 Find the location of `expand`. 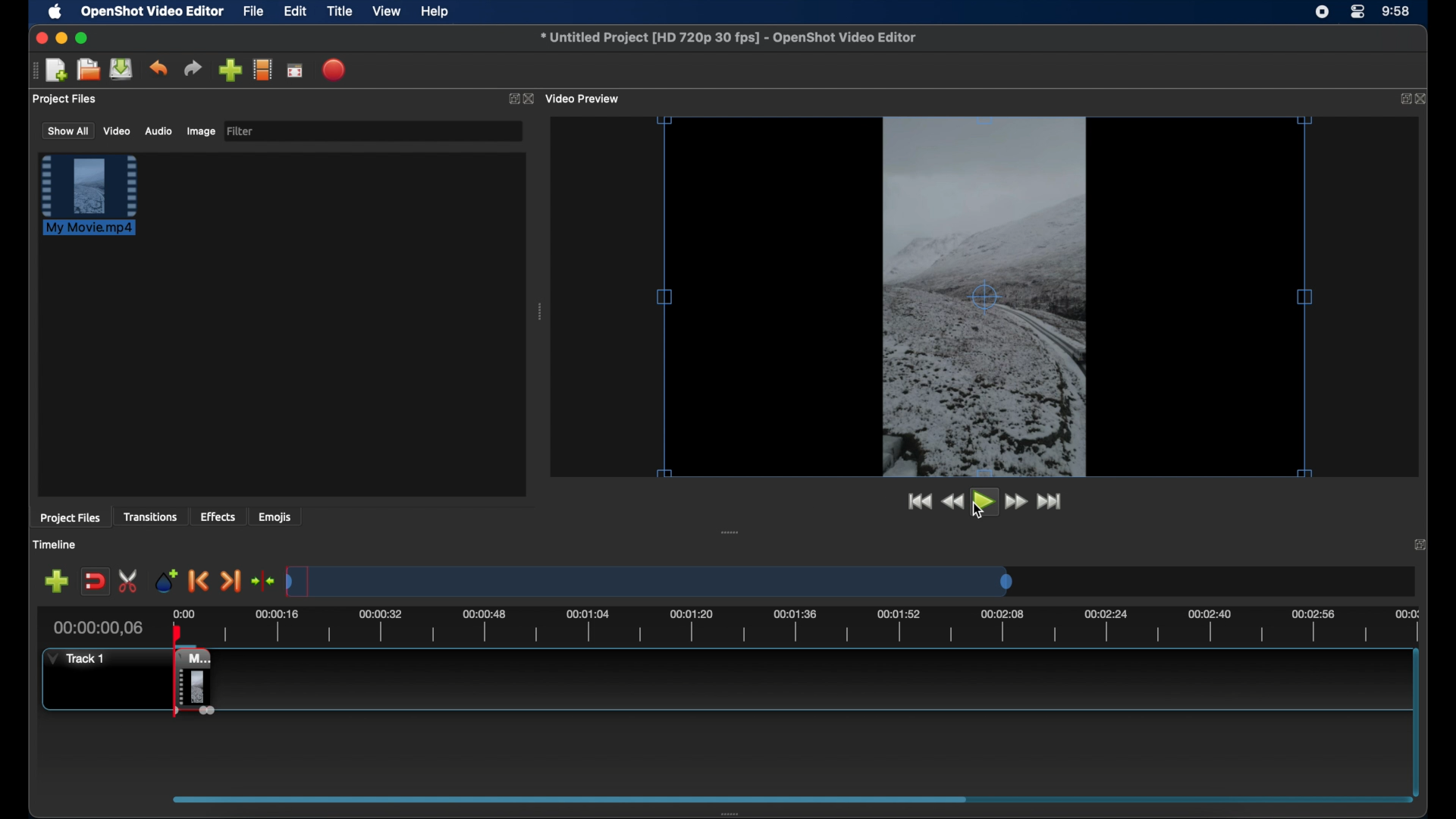

expand is located at coordinates (1401, 99).